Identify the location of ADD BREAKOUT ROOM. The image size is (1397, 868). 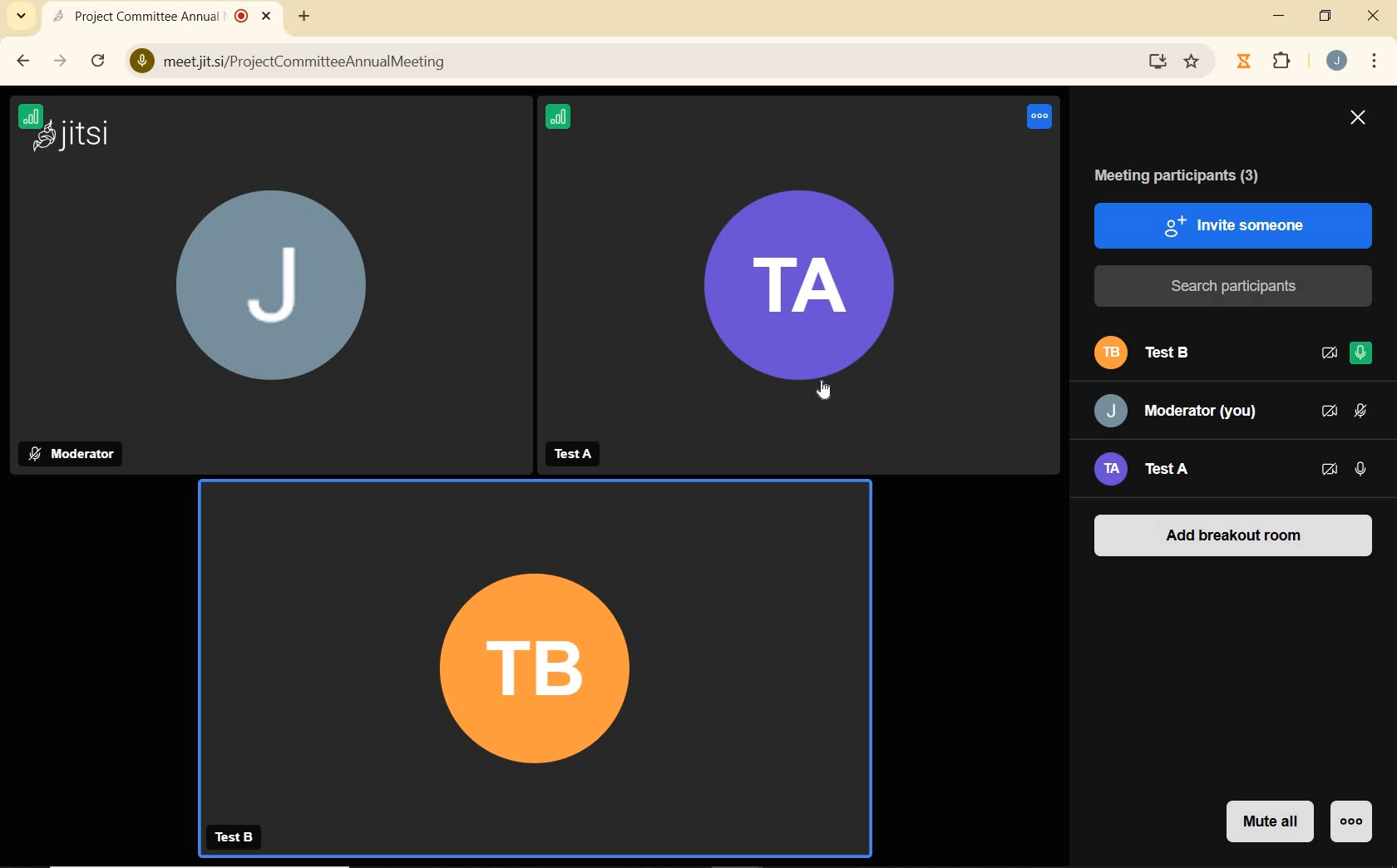
(1235, 534).